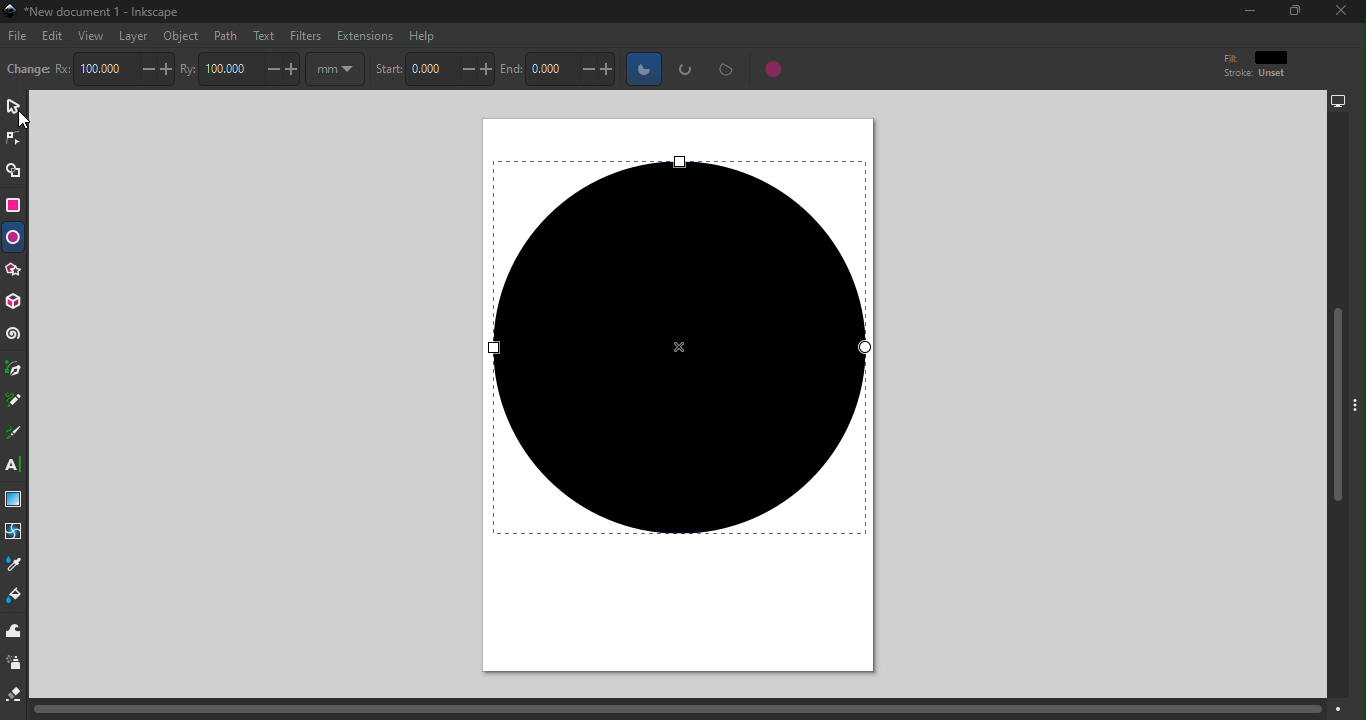  What do you see at coordinates (135, 36) in the screenshot?
I see `Layer` at bounding box center [135, 36].